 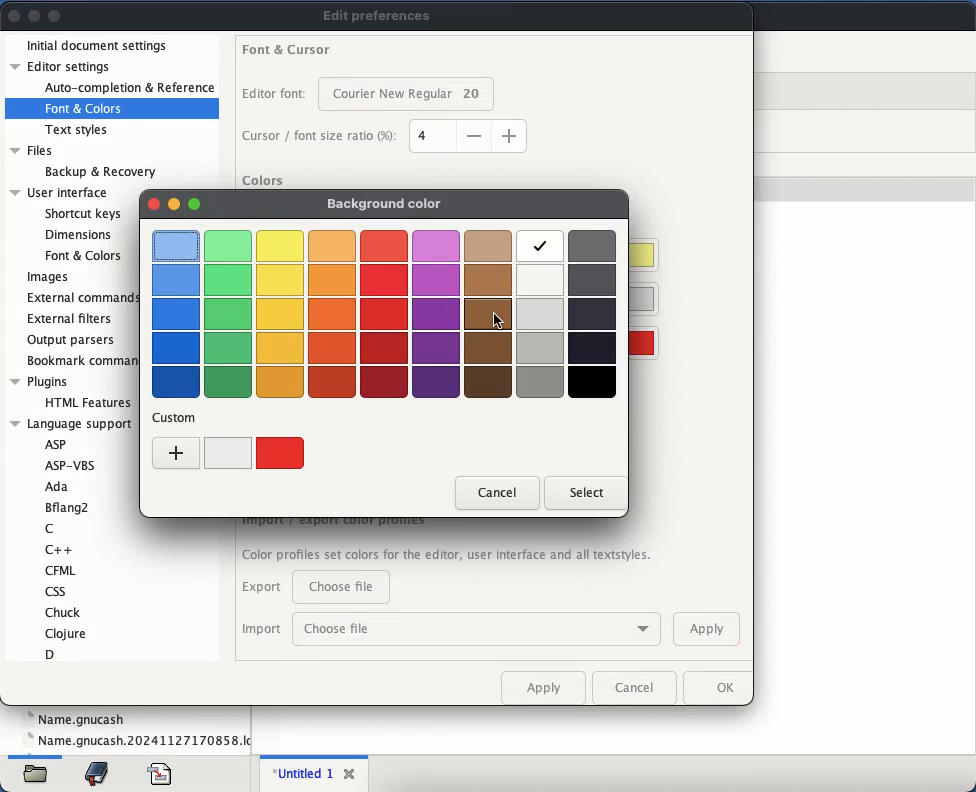 What do you see at coordinates (74, 341) in the screenshot?
I see `output parsers` at bounding box center [74, 341].